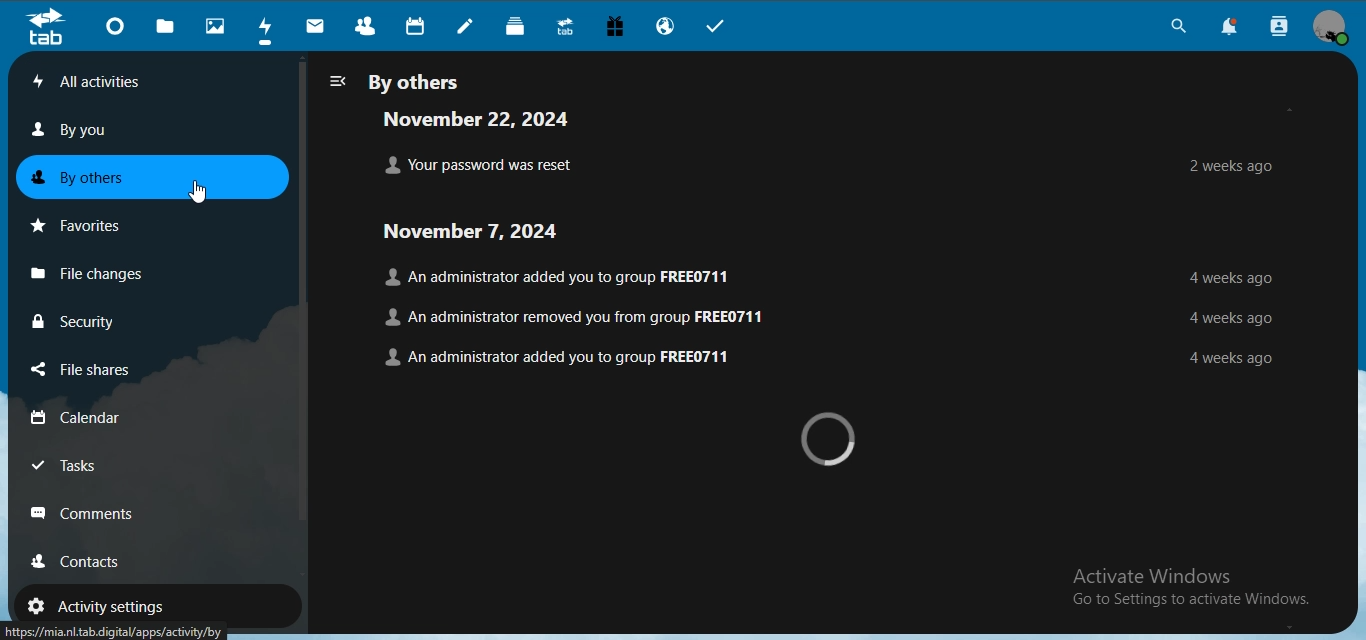 The height and width of the screenshot is (640, 1366). I want to click on file changes, so click(100, 271).